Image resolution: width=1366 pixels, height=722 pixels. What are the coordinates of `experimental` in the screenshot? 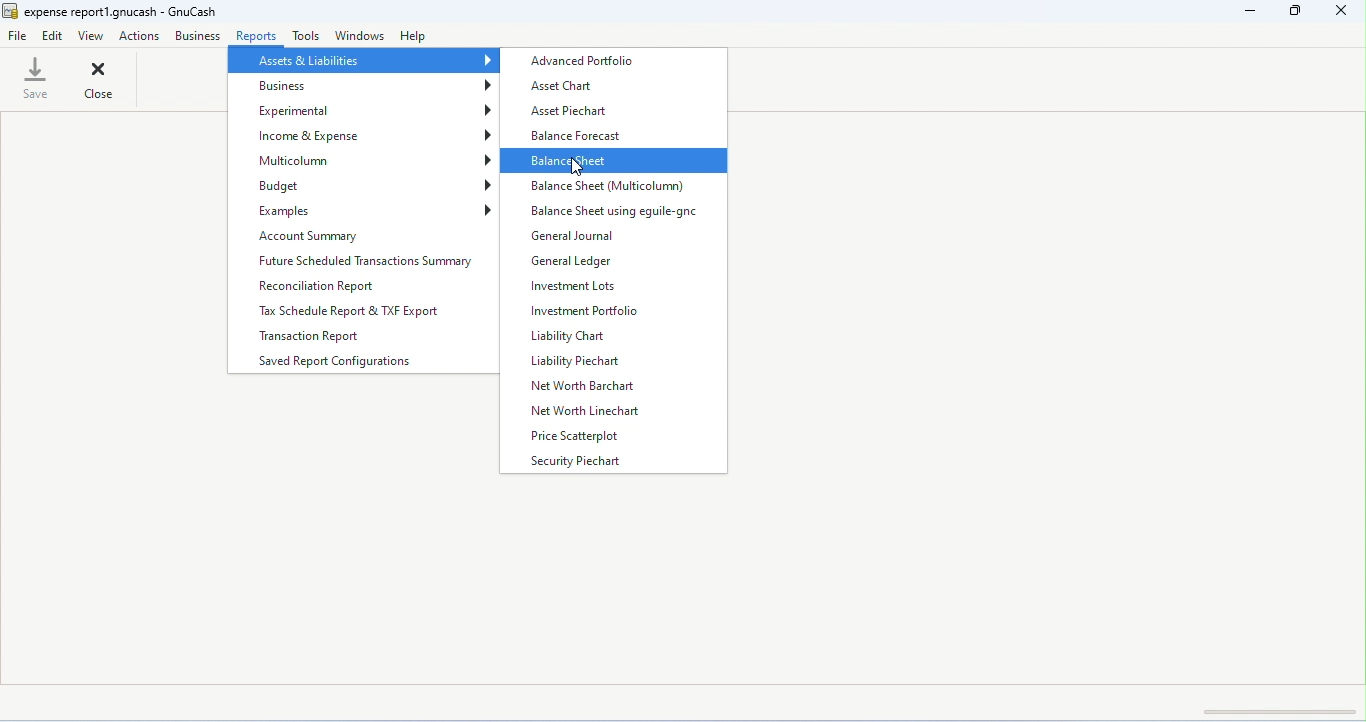 It's located at (366, 110).